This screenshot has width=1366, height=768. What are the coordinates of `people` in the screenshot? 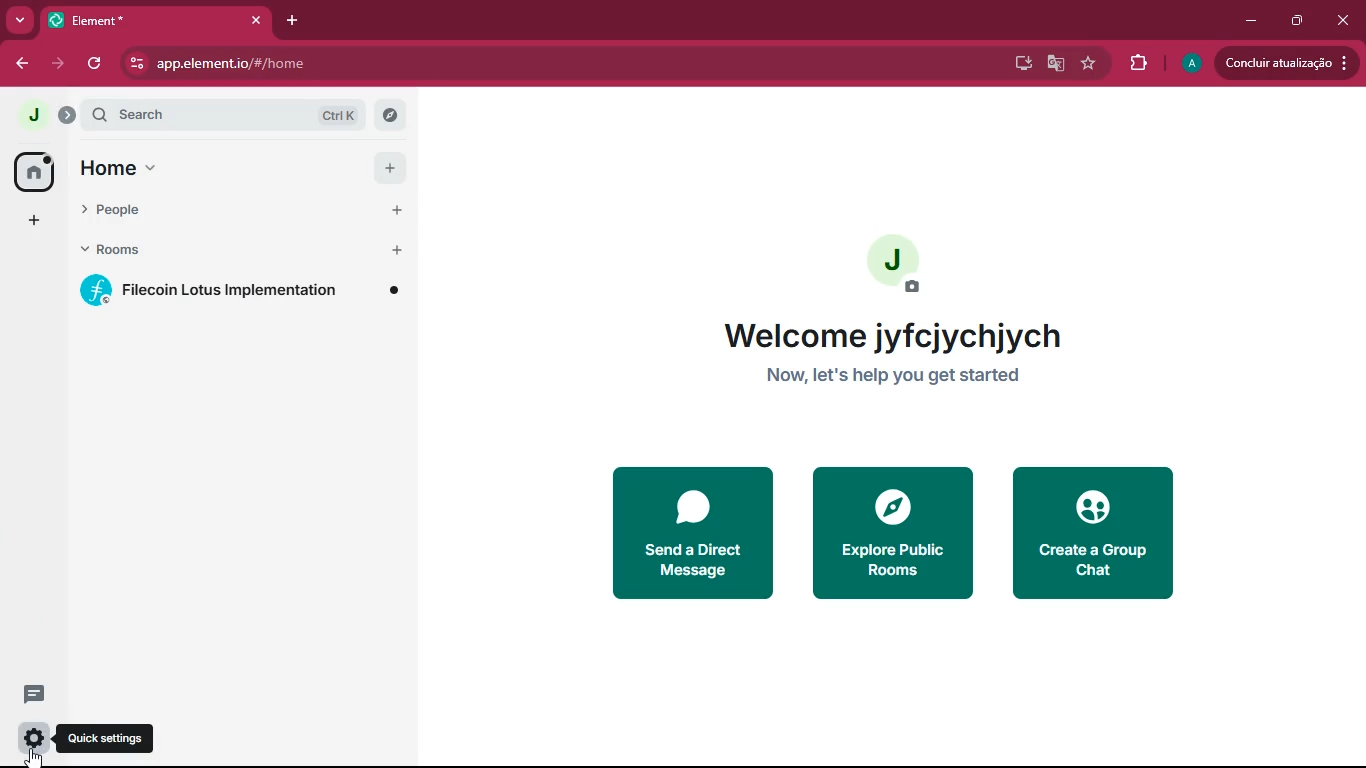 It's located at (134, 210).